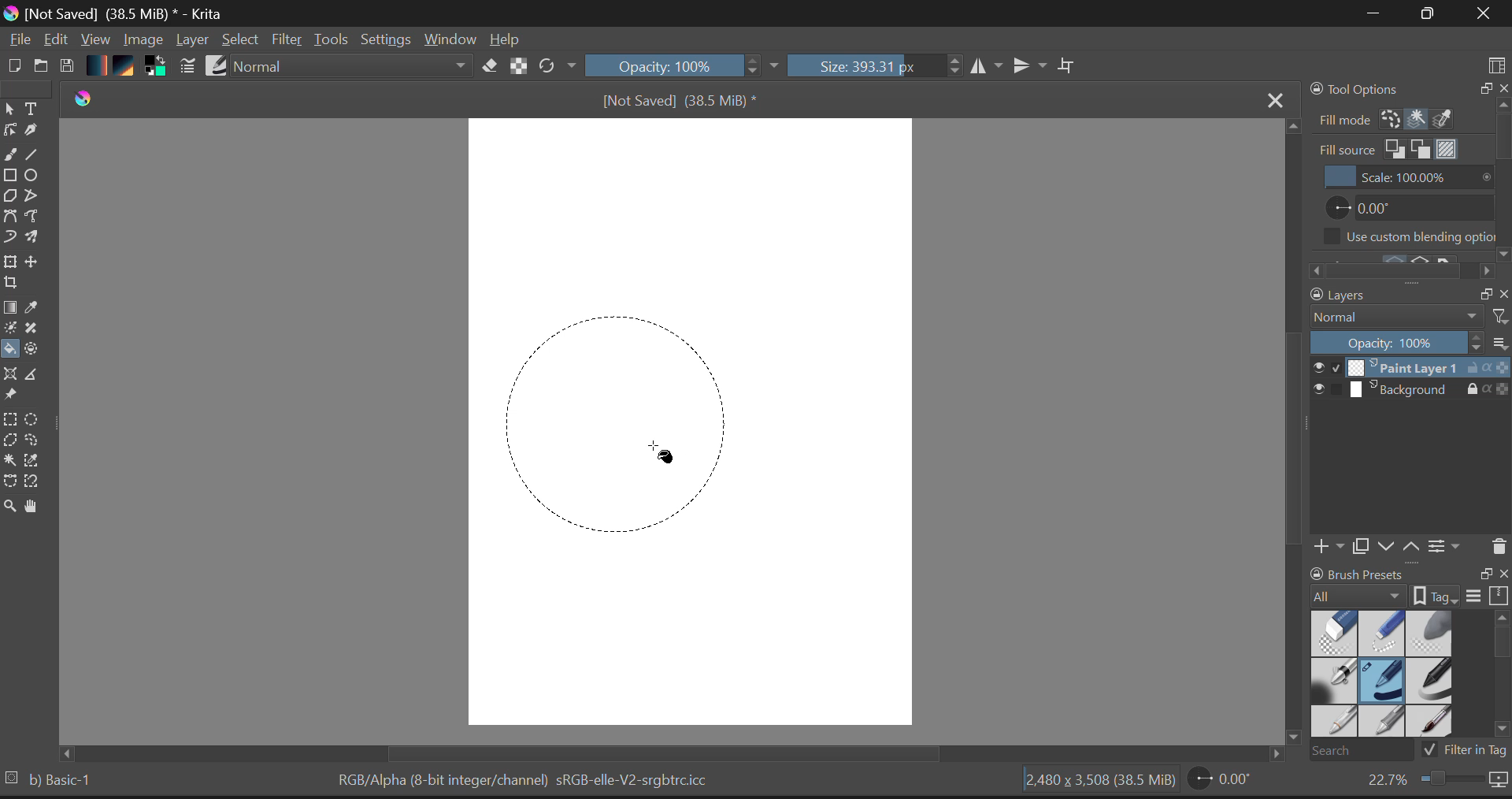 The image size is (1512, 799). I want to click on Freehand Selection, so click(41, 442).